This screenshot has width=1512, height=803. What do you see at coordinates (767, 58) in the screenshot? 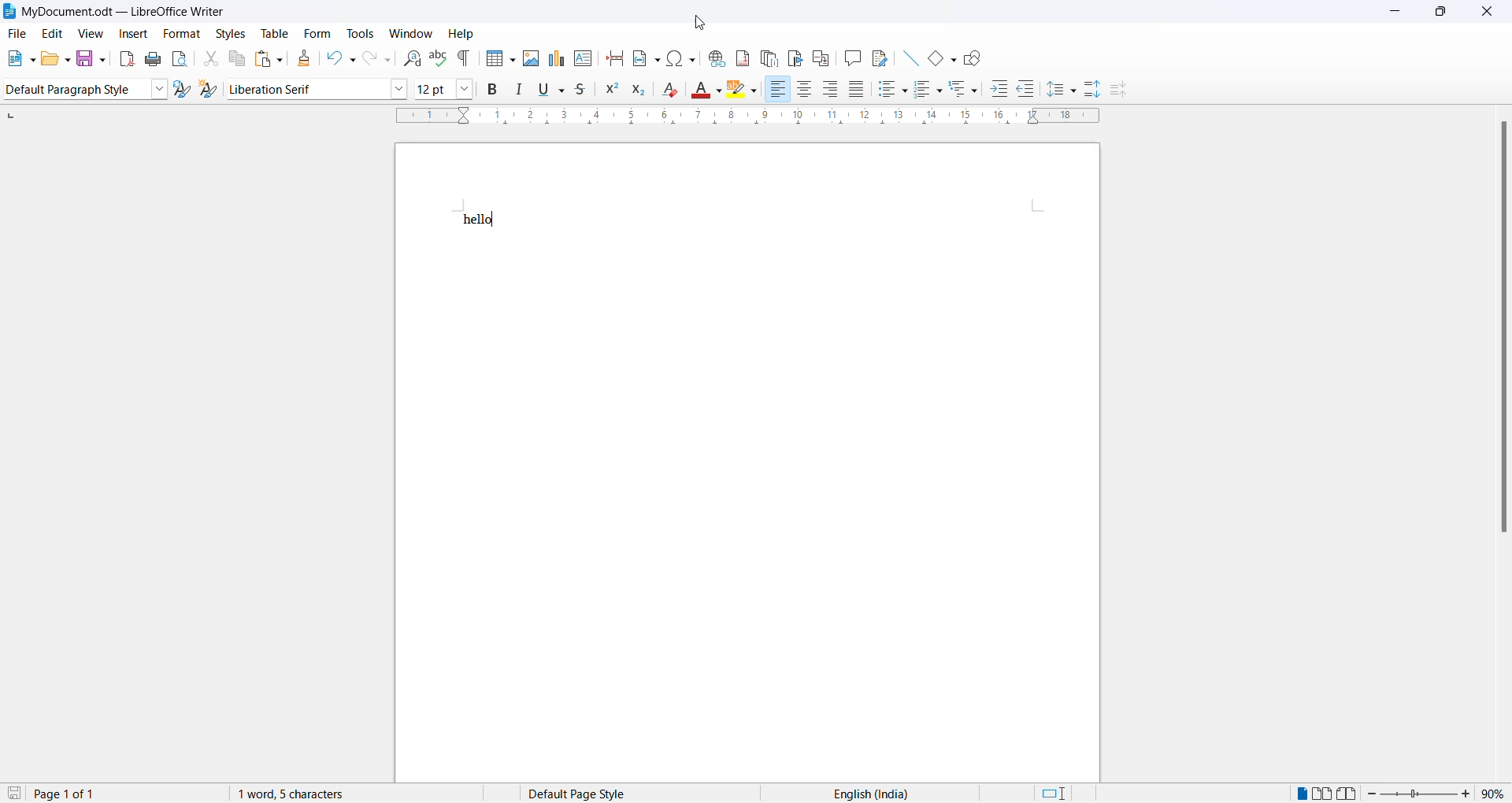
I see `insert endnote` at bounding box center [767, 58].